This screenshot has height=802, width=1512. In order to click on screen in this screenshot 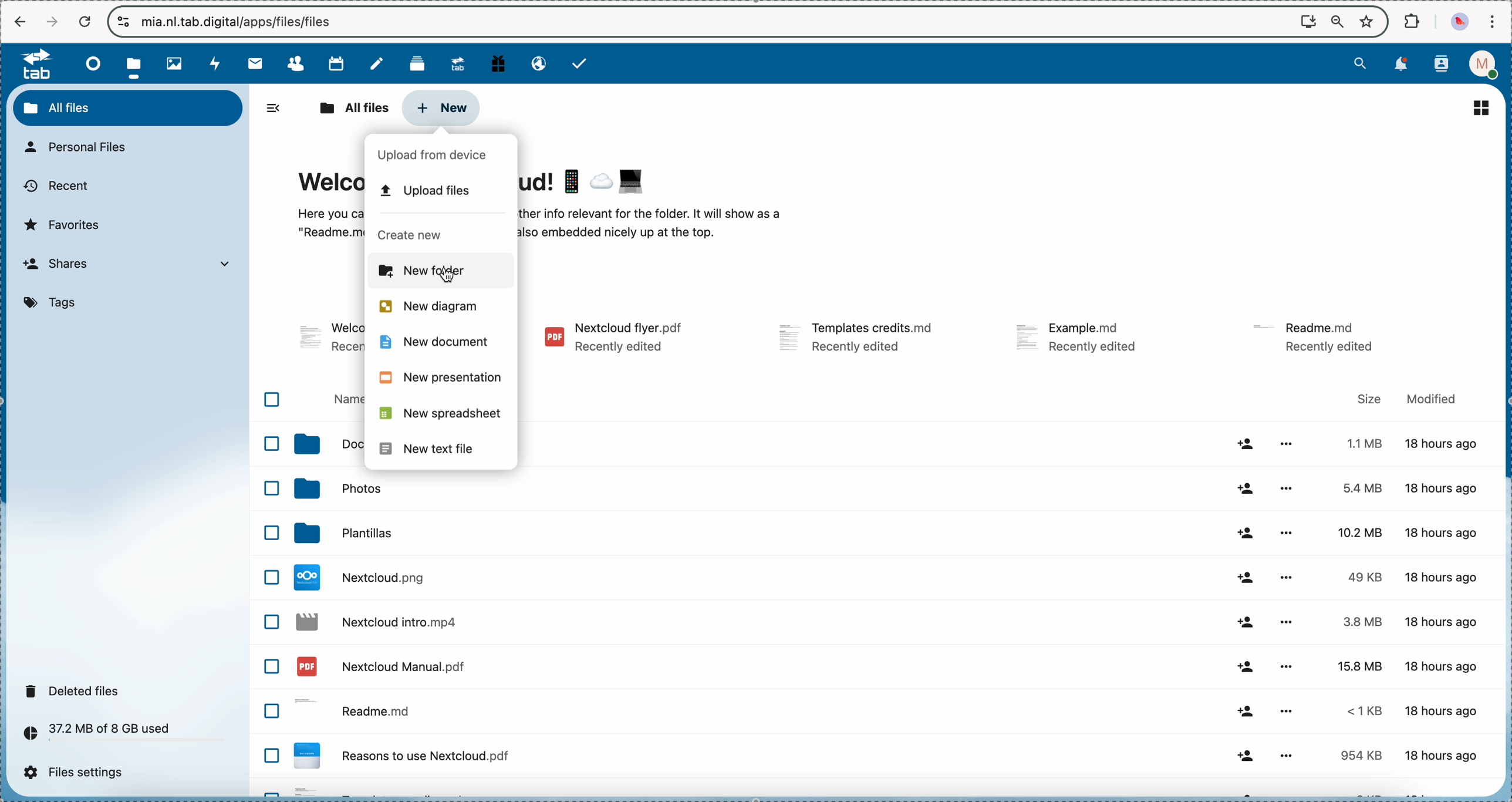, I will do `click(1308, 21)`.